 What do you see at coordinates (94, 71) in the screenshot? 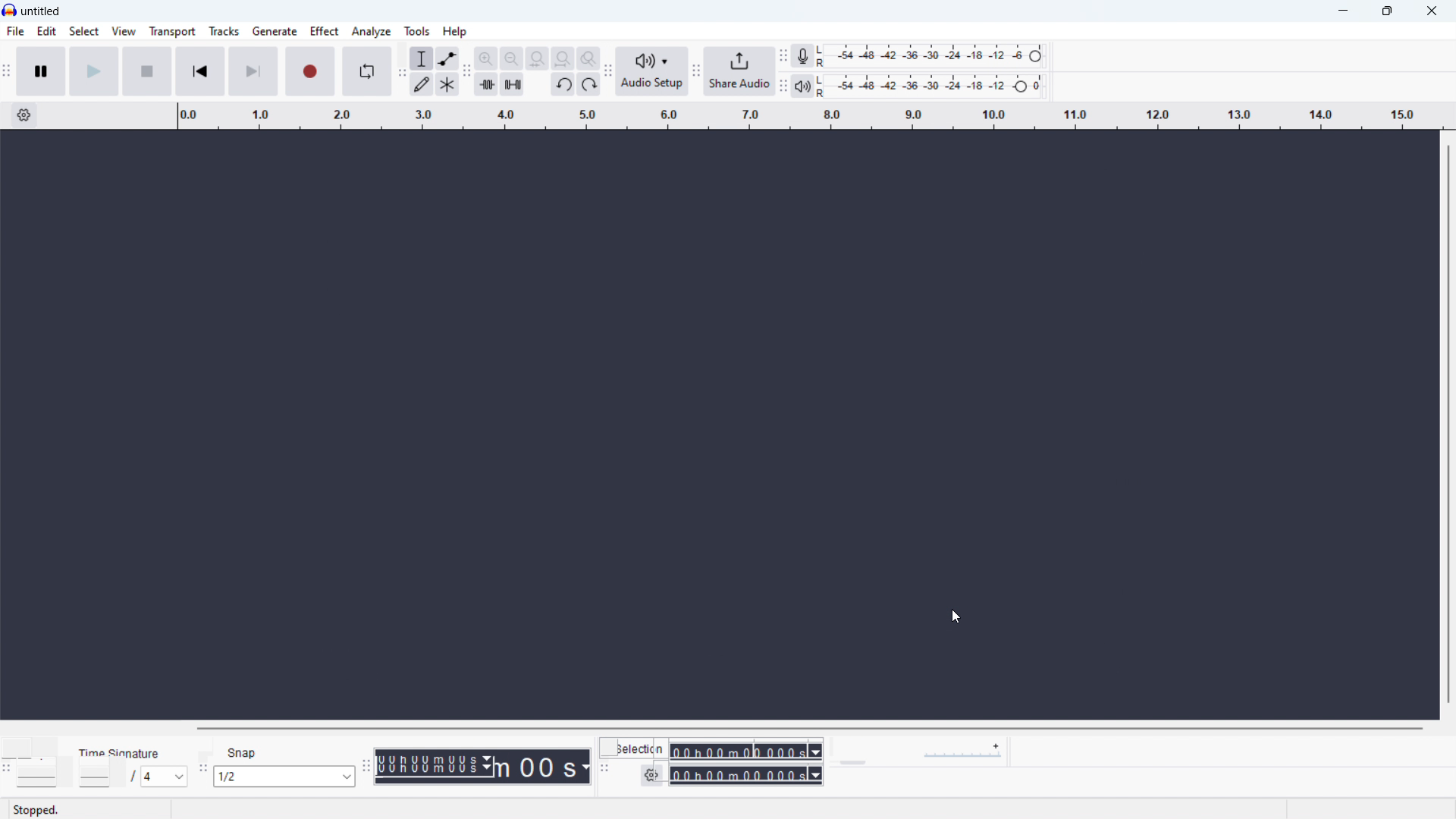
I see `play` at bounding box center [94, 71].